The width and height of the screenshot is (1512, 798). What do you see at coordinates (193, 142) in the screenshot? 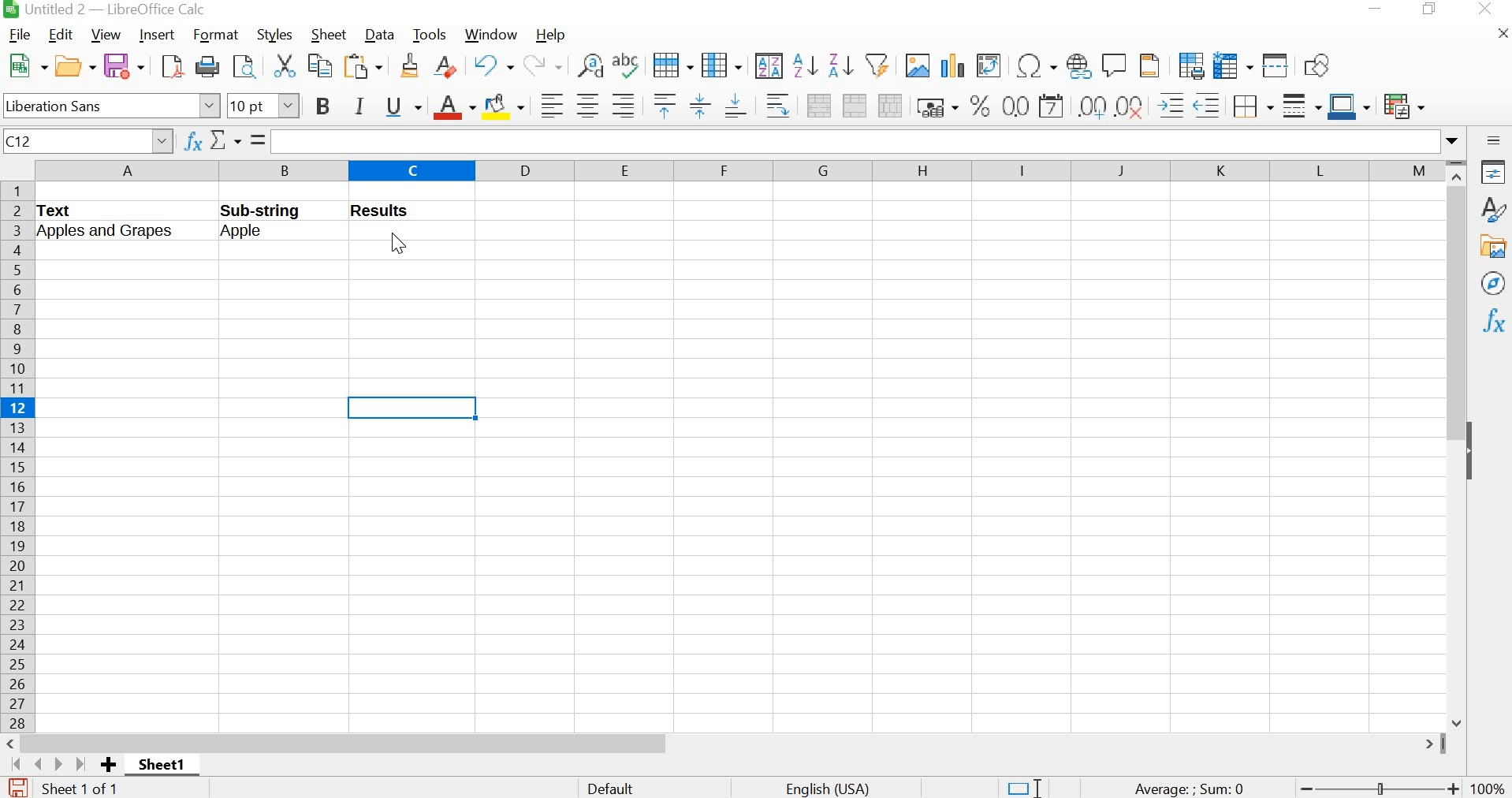
I see `function wizard` at bounding box center [193, 142].